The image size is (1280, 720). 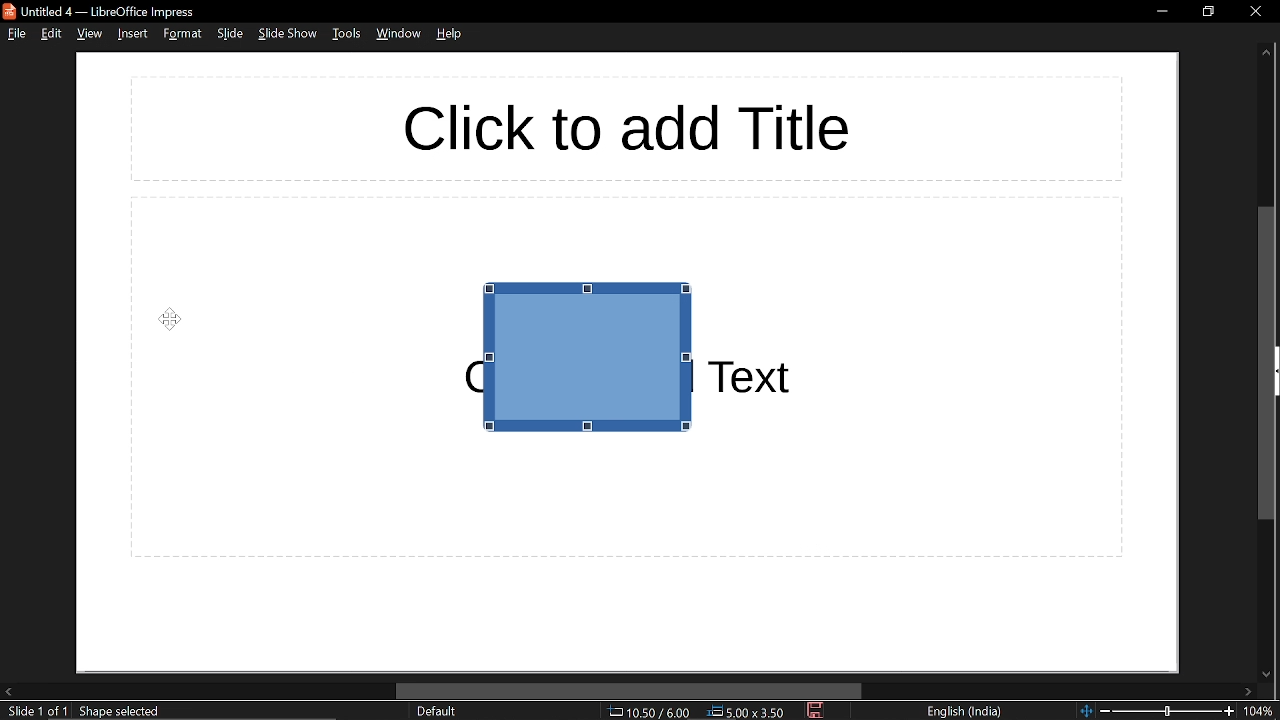 I want to click on minimize, so click(x=1158, y=10).